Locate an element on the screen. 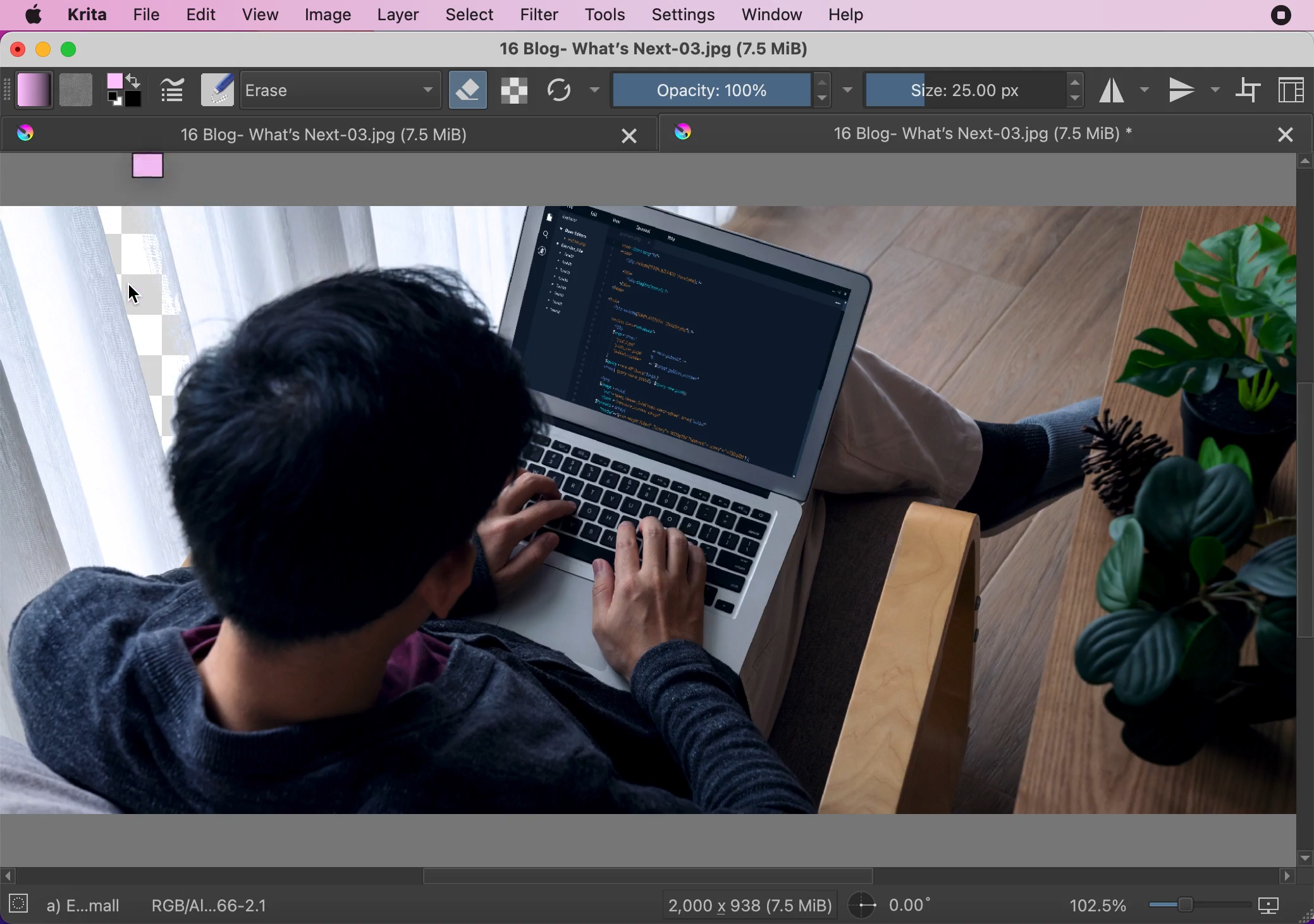 This screenshot has width=1314, height=924. map the displayed canvas size between pixel size or print size is located at coordinates (1275, 905).